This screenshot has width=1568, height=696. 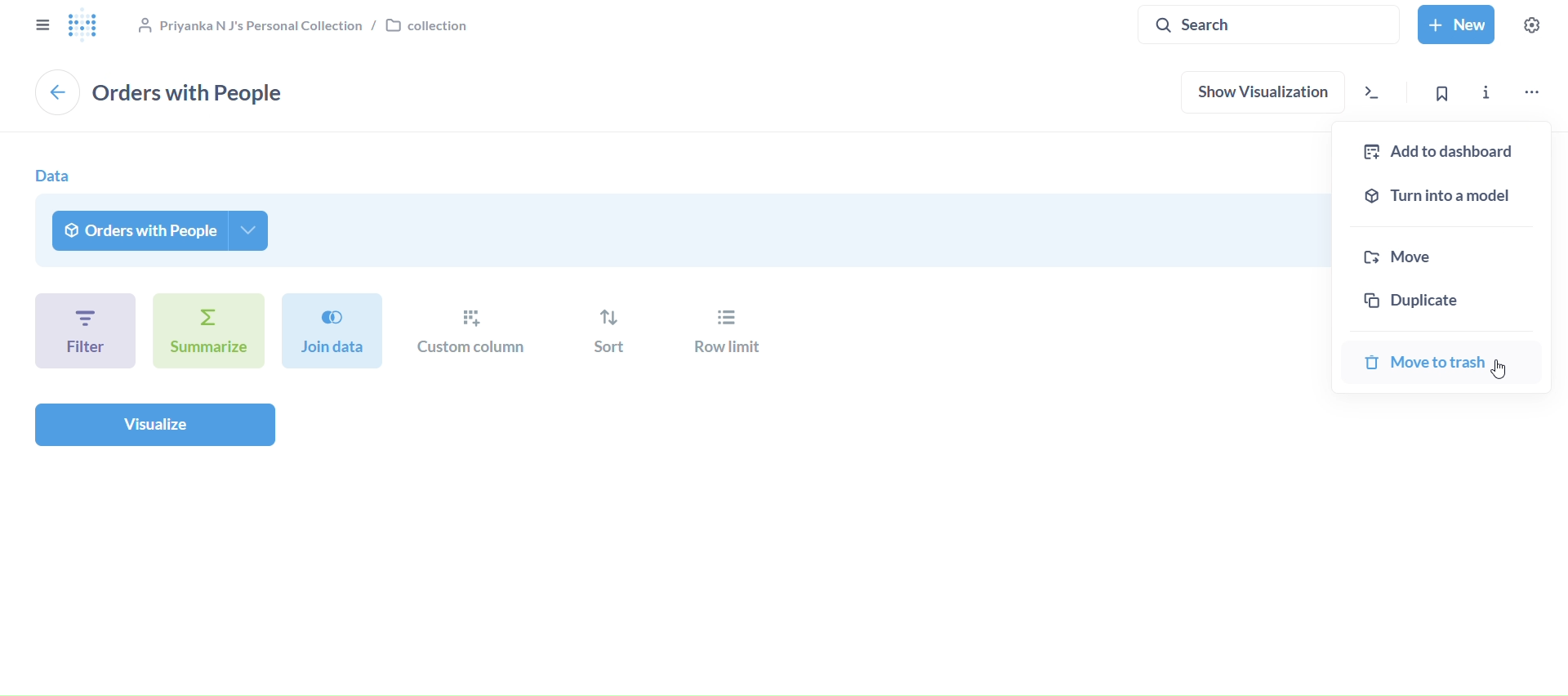 I want to click on move, so click(x=1441, y=258).